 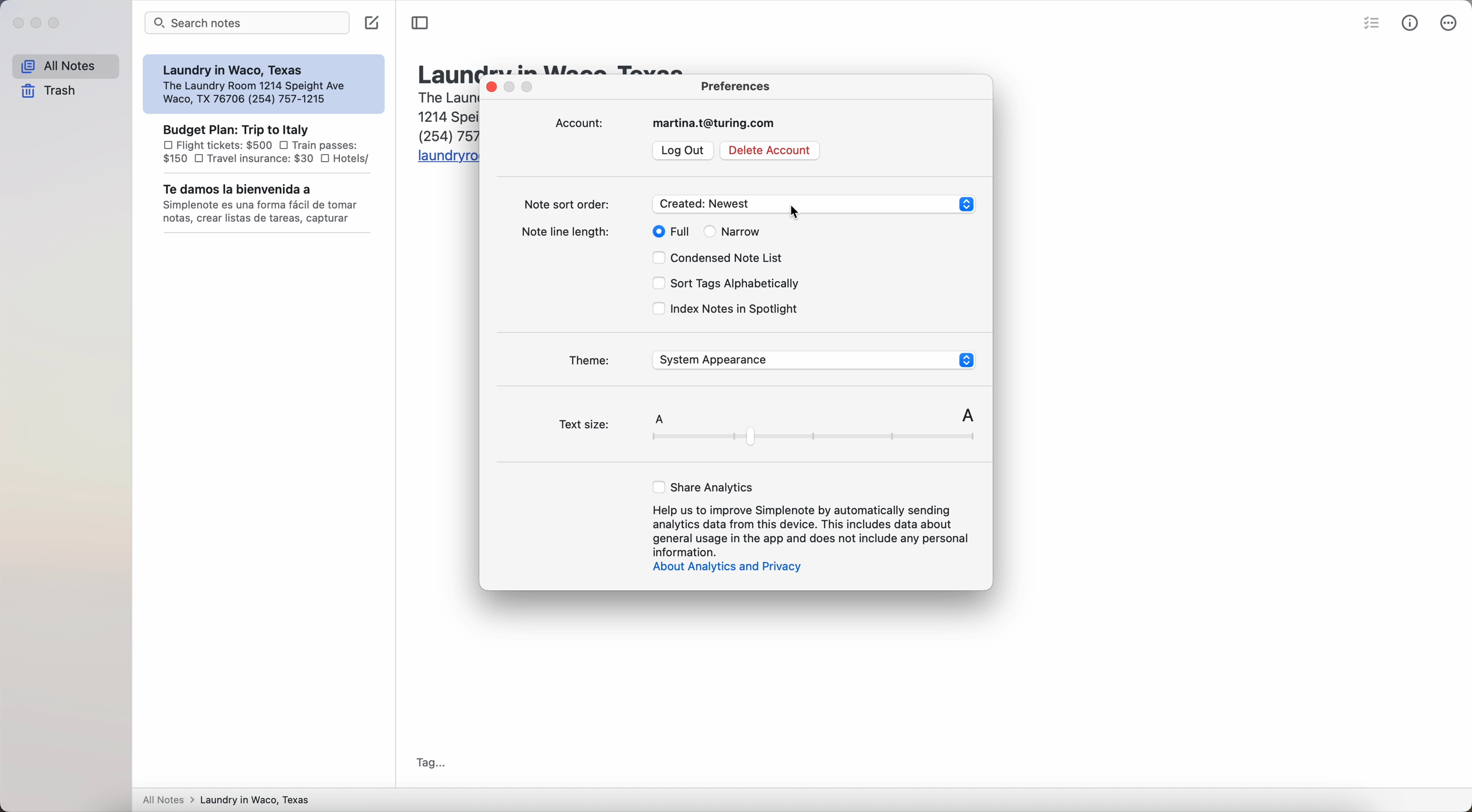 I want to click on close Simplenote, so click(x=18, y=24).